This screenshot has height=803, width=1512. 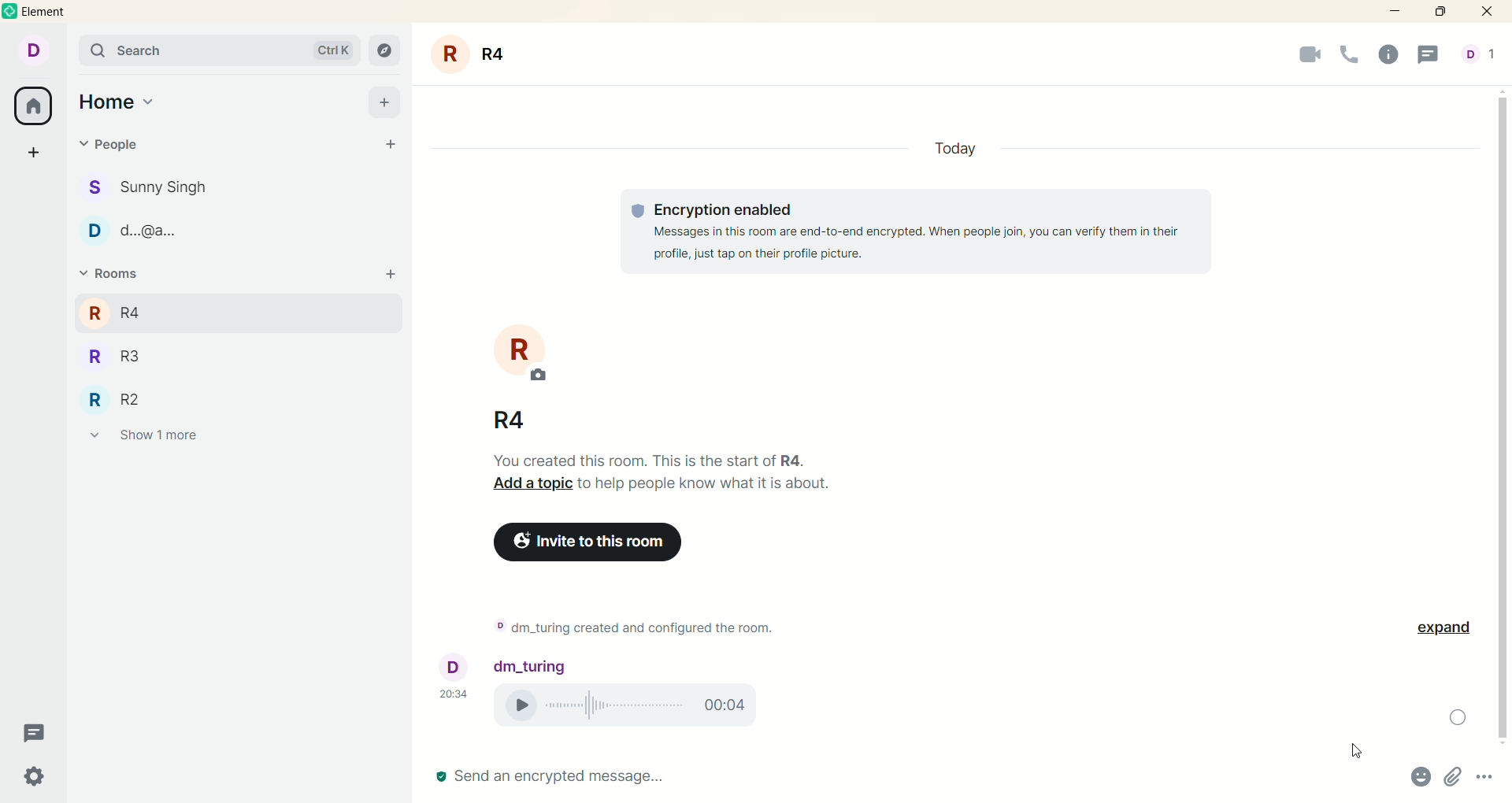 What do you see at coordinates (115, 144) in the screenshot?
I see `people` at bounding box center [115, 144].